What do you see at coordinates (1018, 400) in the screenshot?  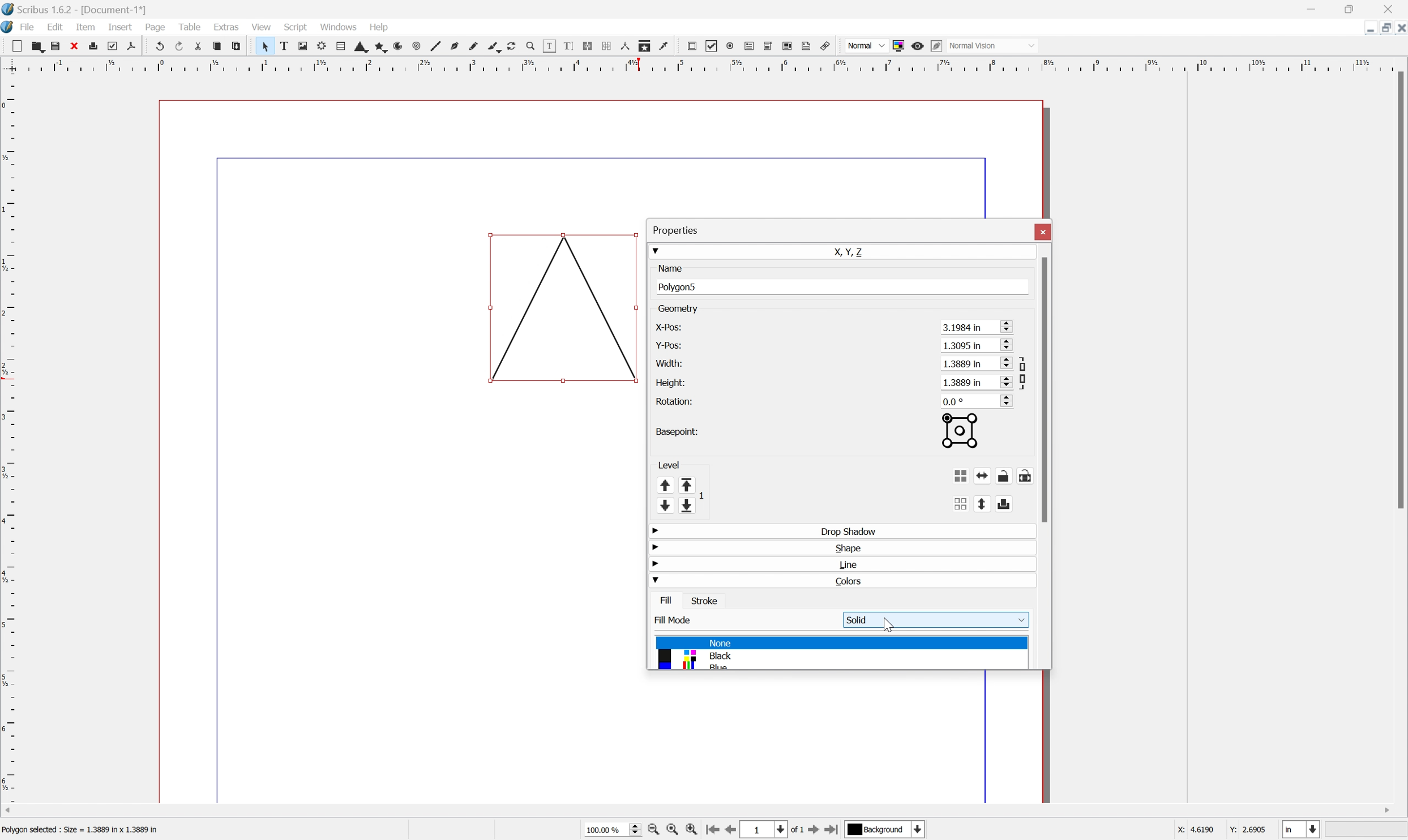 I see `Scroll` at bounding box center [1018, 400].